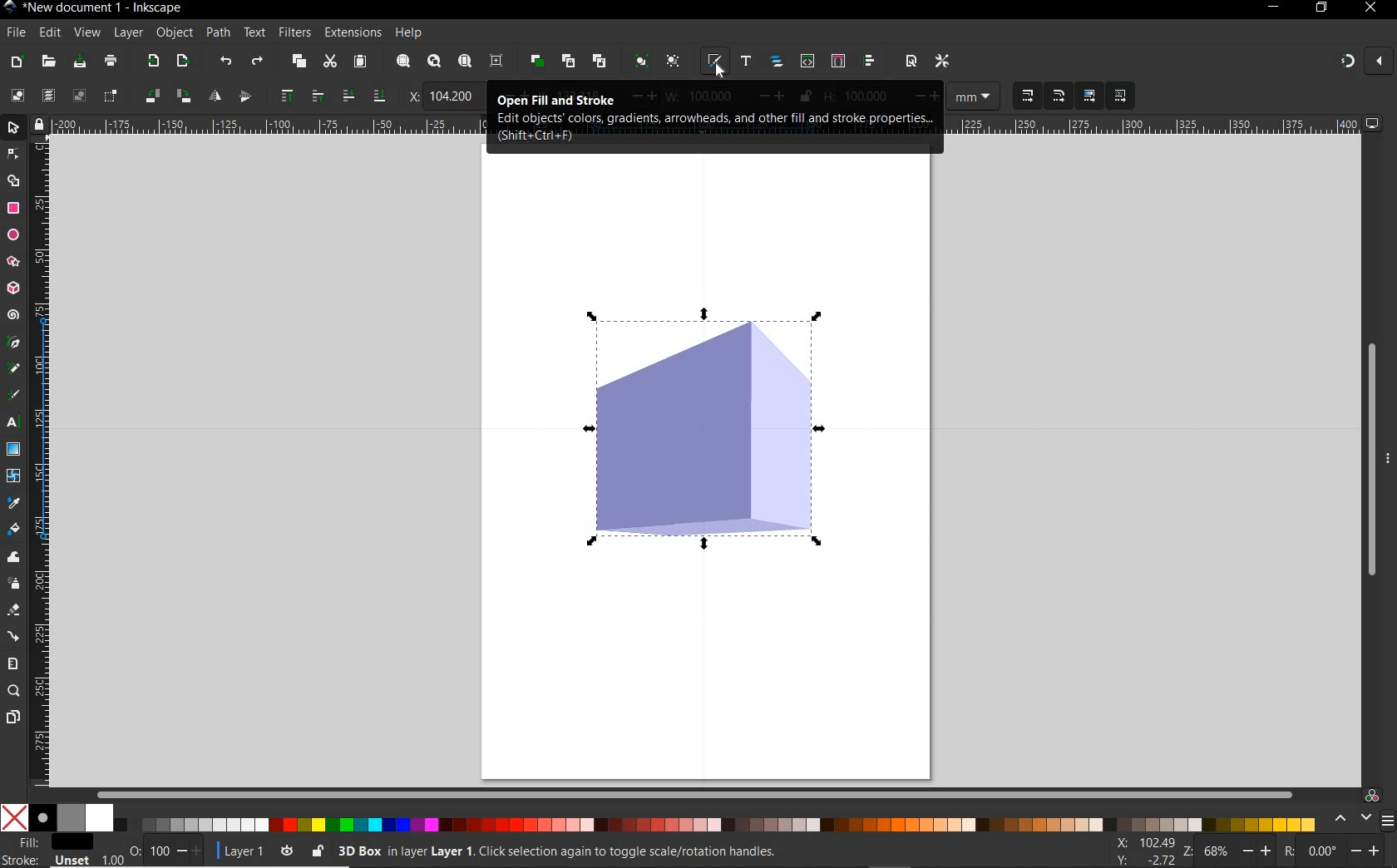  I want to click on SNODE TOOL, so click(12, 154).